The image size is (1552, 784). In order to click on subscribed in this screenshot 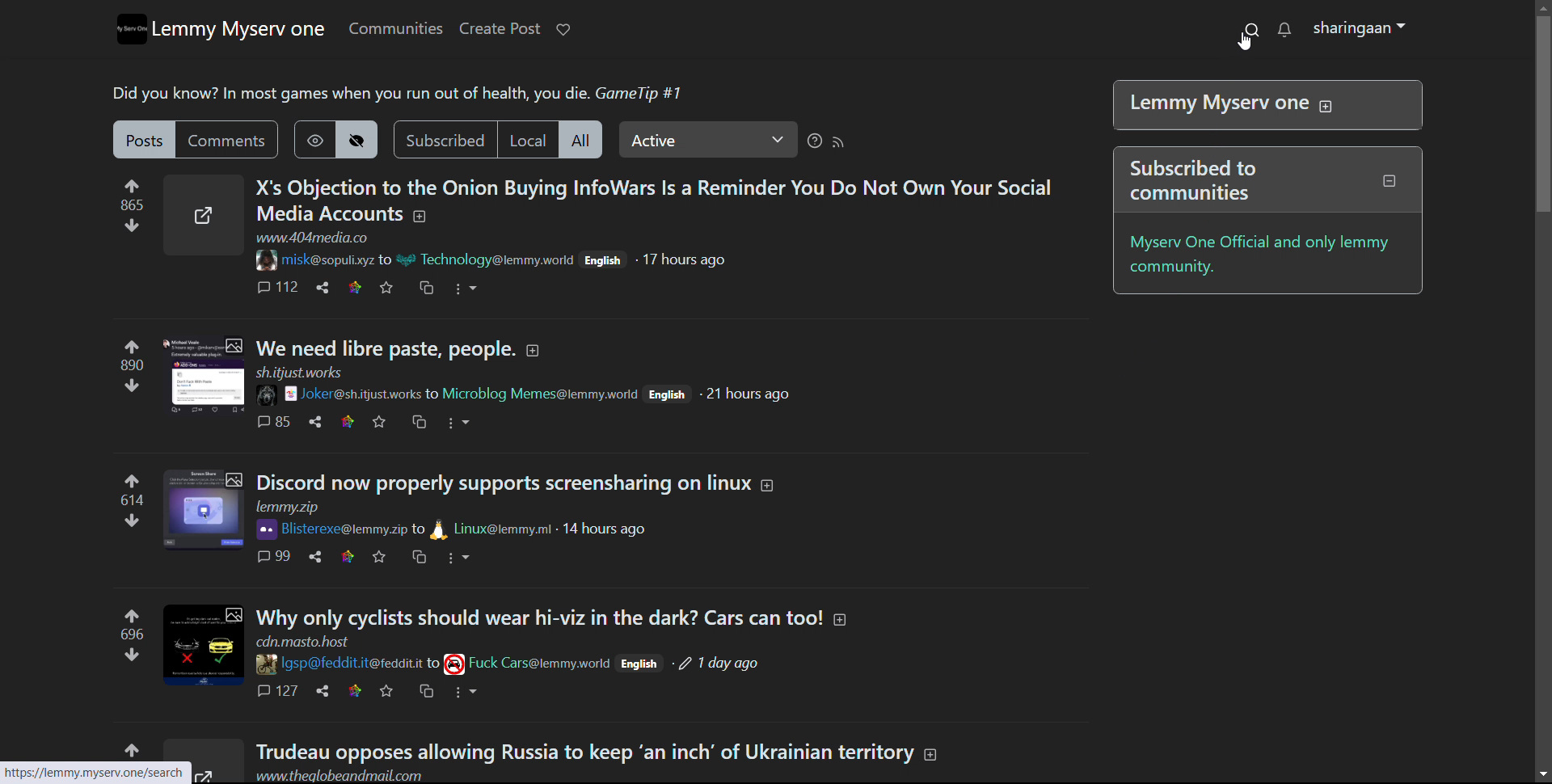, I will do `click(444, 139)`.